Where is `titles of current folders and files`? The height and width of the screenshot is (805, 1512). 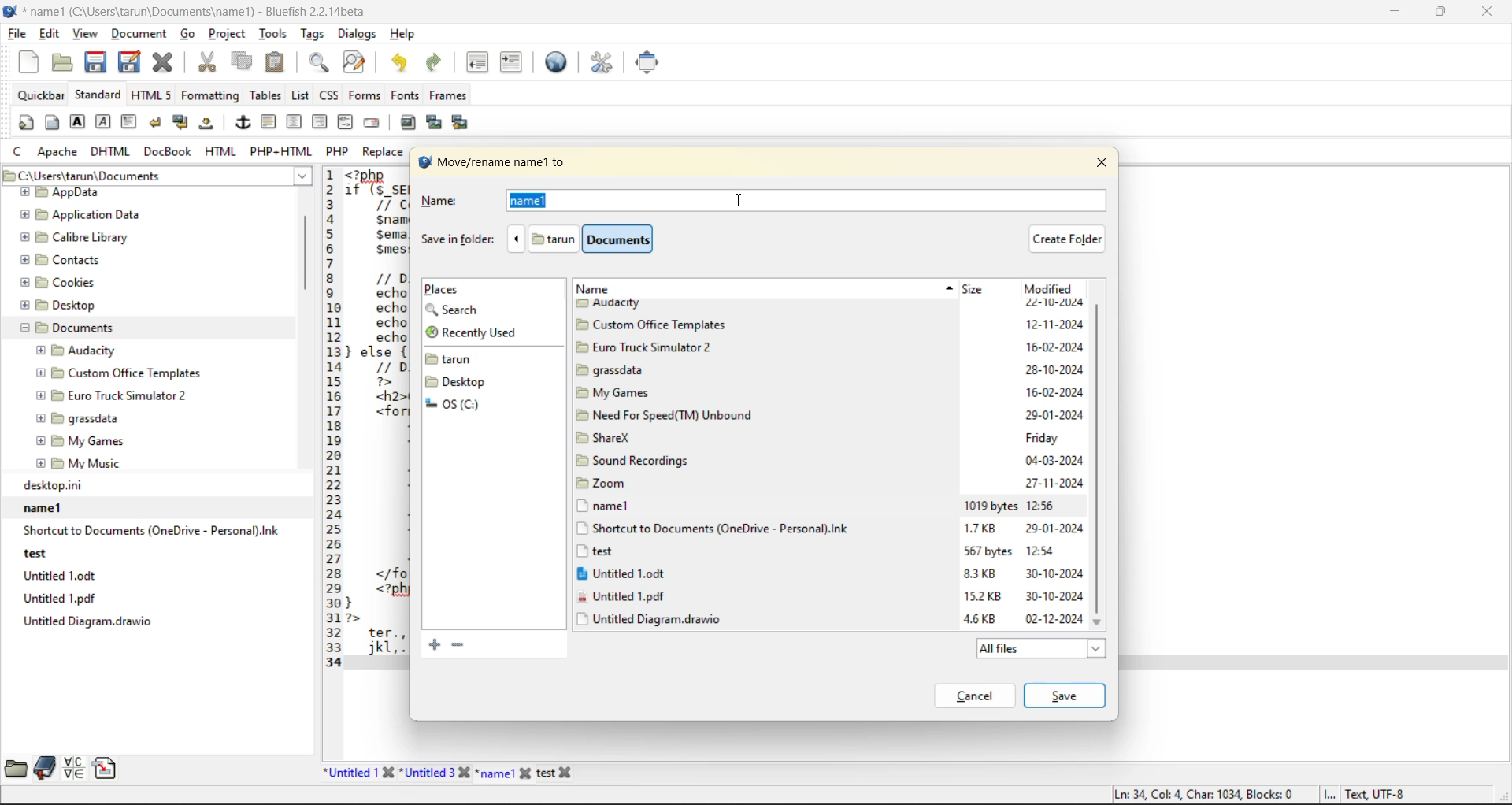
titles of current folders and files is located at coordinates (742, 465).